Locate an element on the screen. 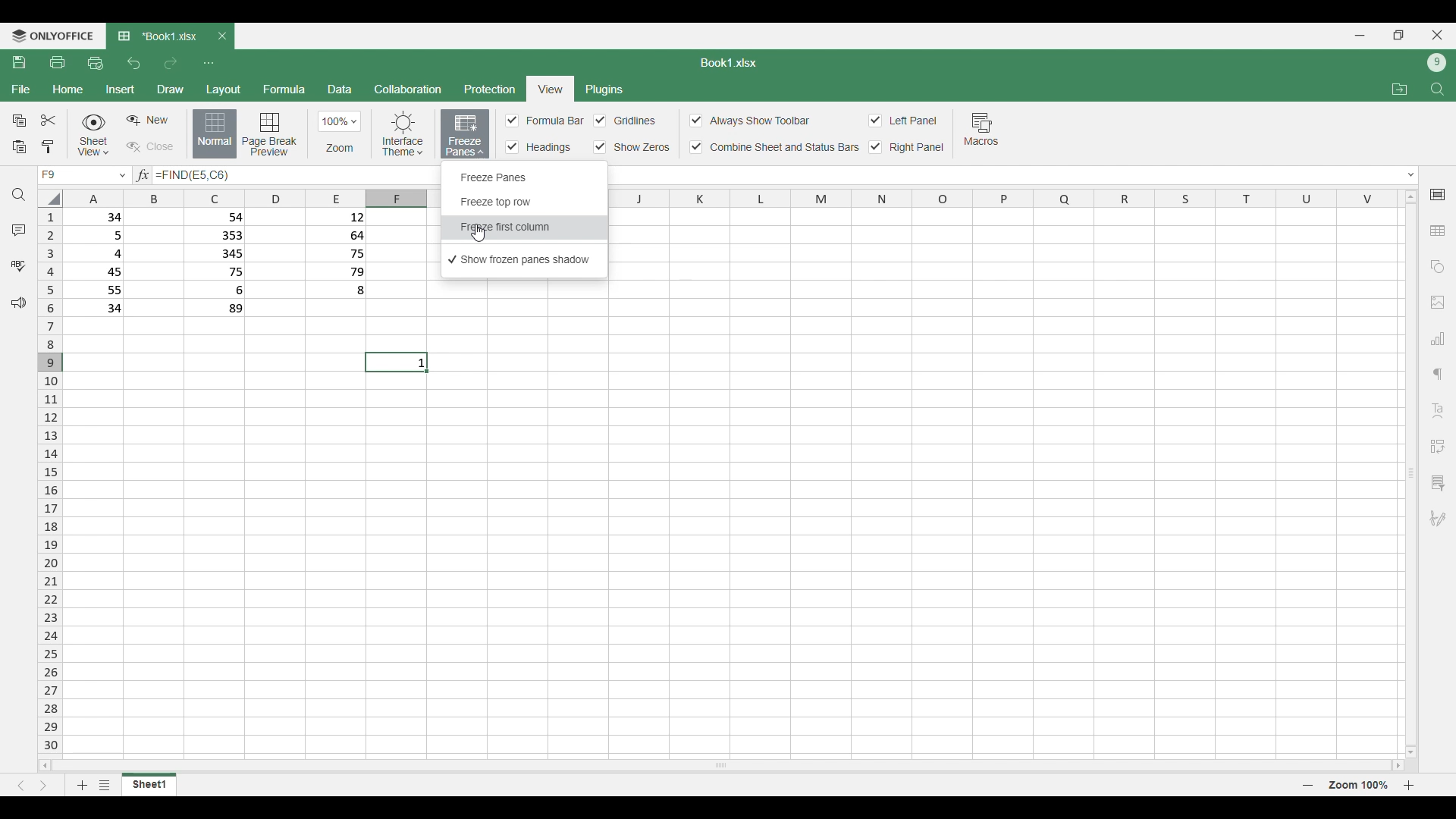 The image size is (1456, 819). Expand/Collapse is located at coordinates (1411, 175).